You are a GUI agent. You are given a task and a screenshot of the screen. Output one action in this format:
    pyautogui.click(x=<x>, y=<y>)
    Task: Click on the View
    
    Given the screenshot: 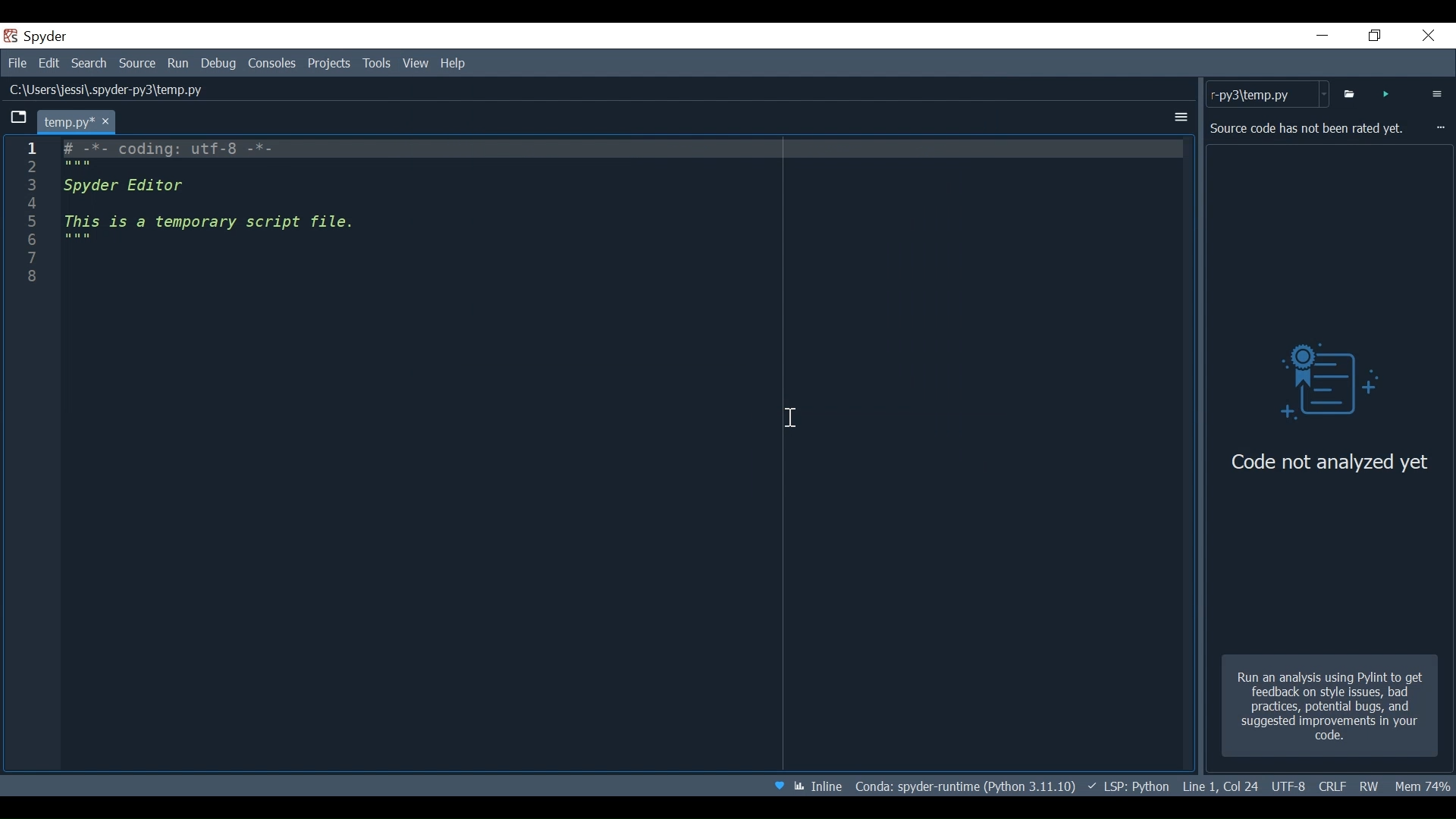 What is the action you would take?
    pyautogui.click(x=416, y=63)
    